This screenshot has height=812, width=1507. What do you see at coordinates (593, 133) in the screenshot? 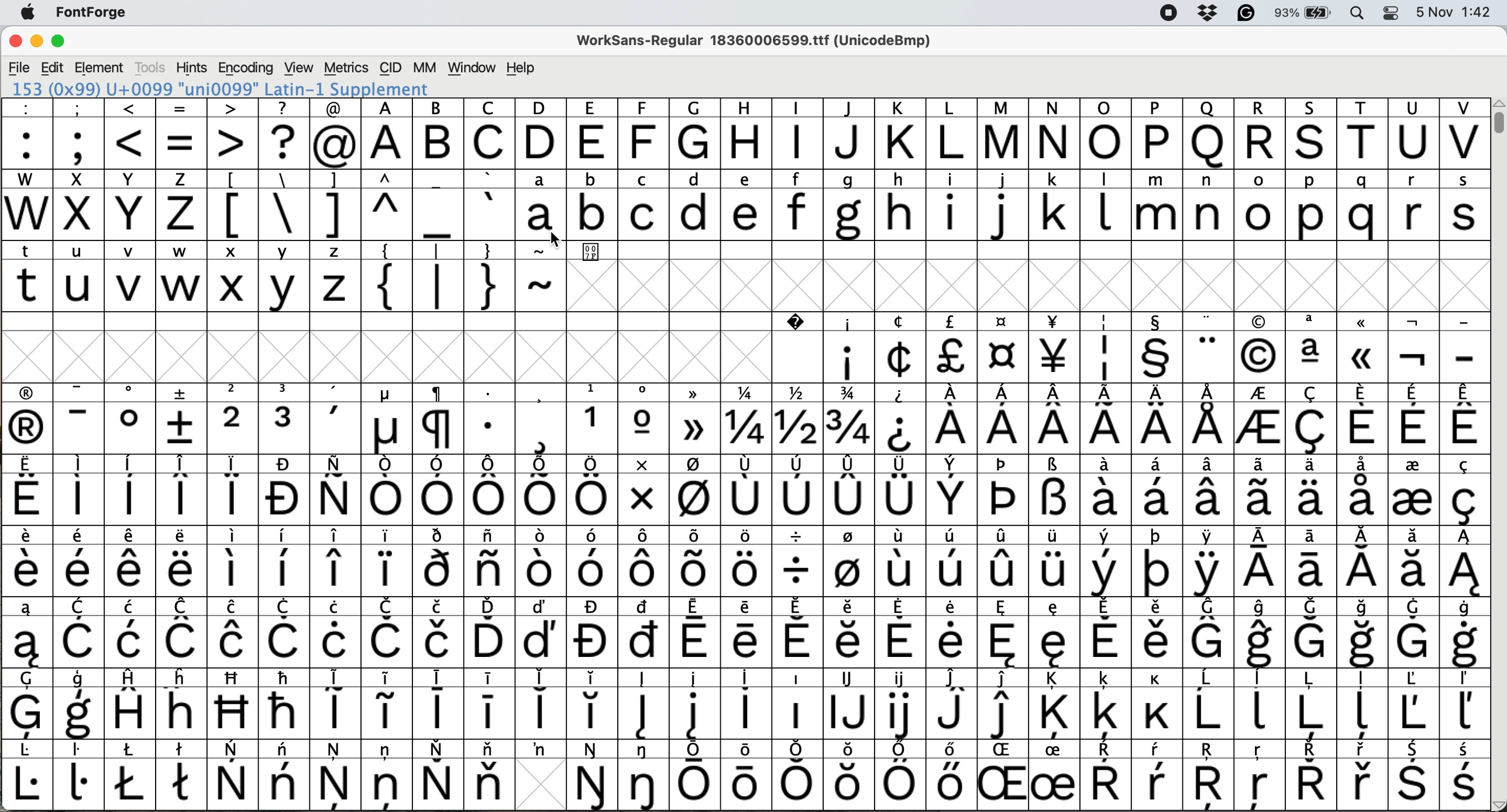
I see `E` at bounding box center [593, 133].